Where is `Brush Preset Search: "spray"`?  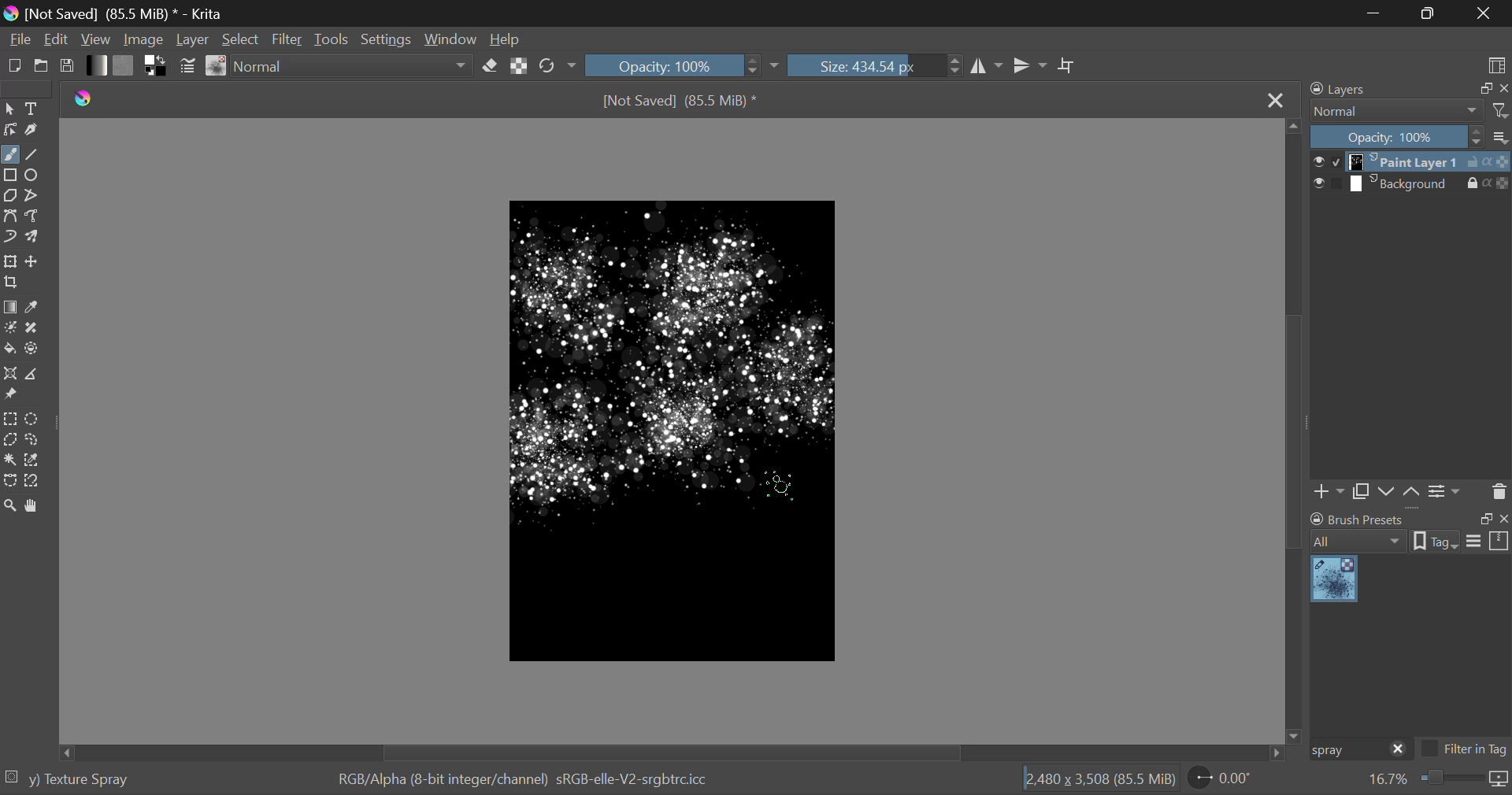
Brush Preset Search: "spray" is located at coordinates (1346, 750).